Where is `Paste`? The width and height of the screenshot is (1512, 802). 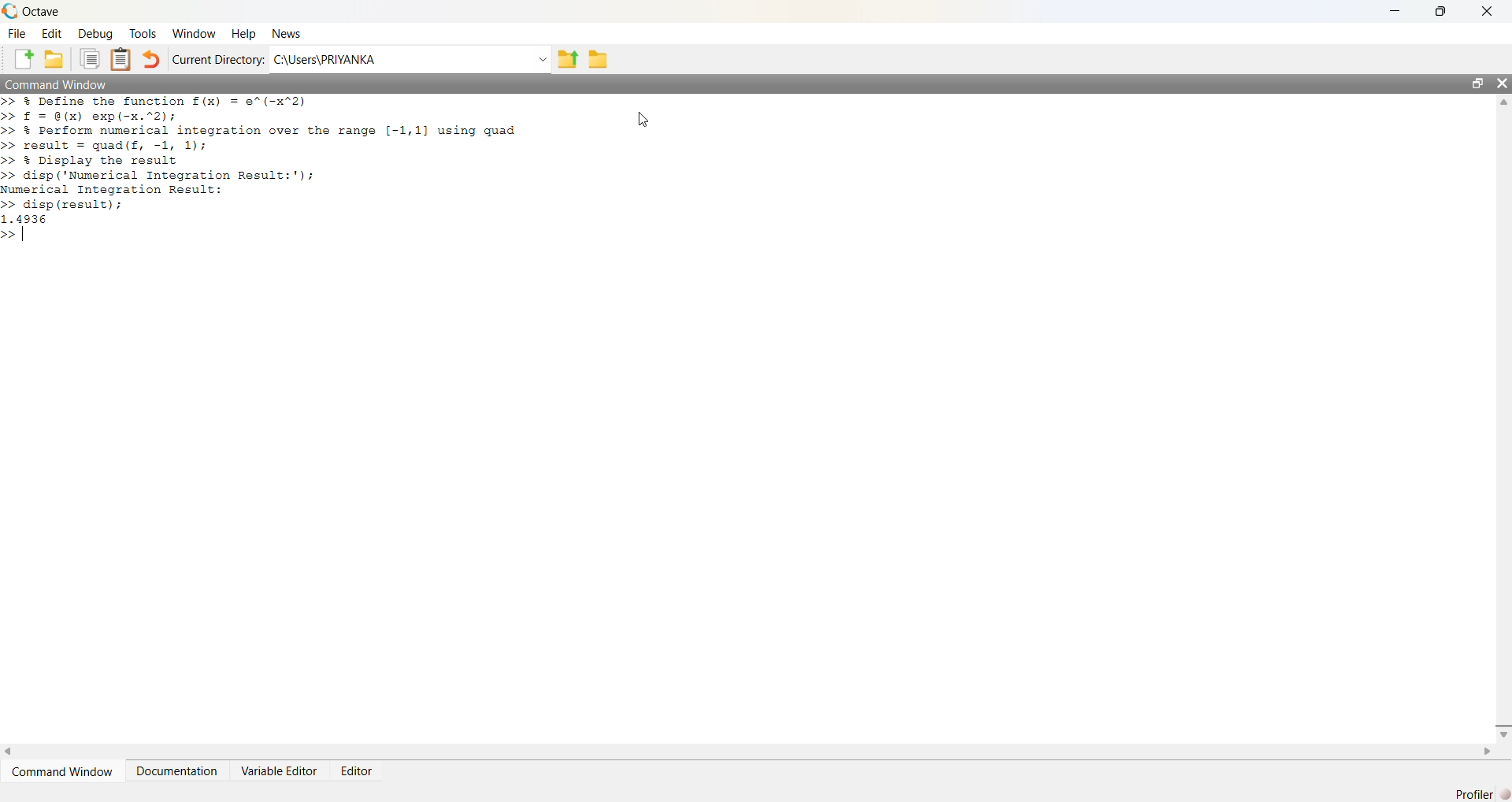 Paste is located at coordinates (121, 60).